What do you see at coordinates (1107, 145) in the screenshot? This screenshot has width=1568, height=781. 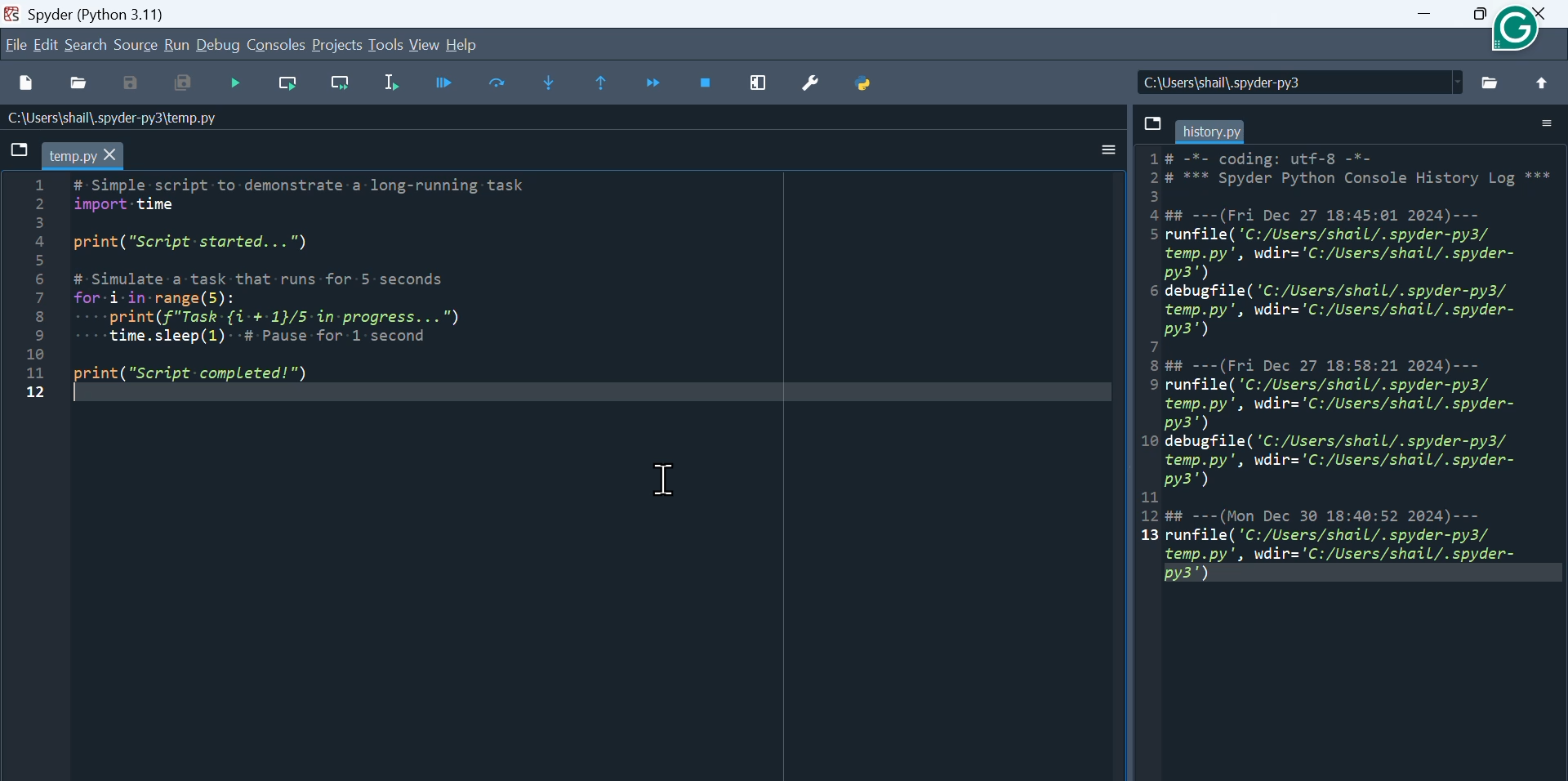 I see `option` at bounding box center [1107, 145].